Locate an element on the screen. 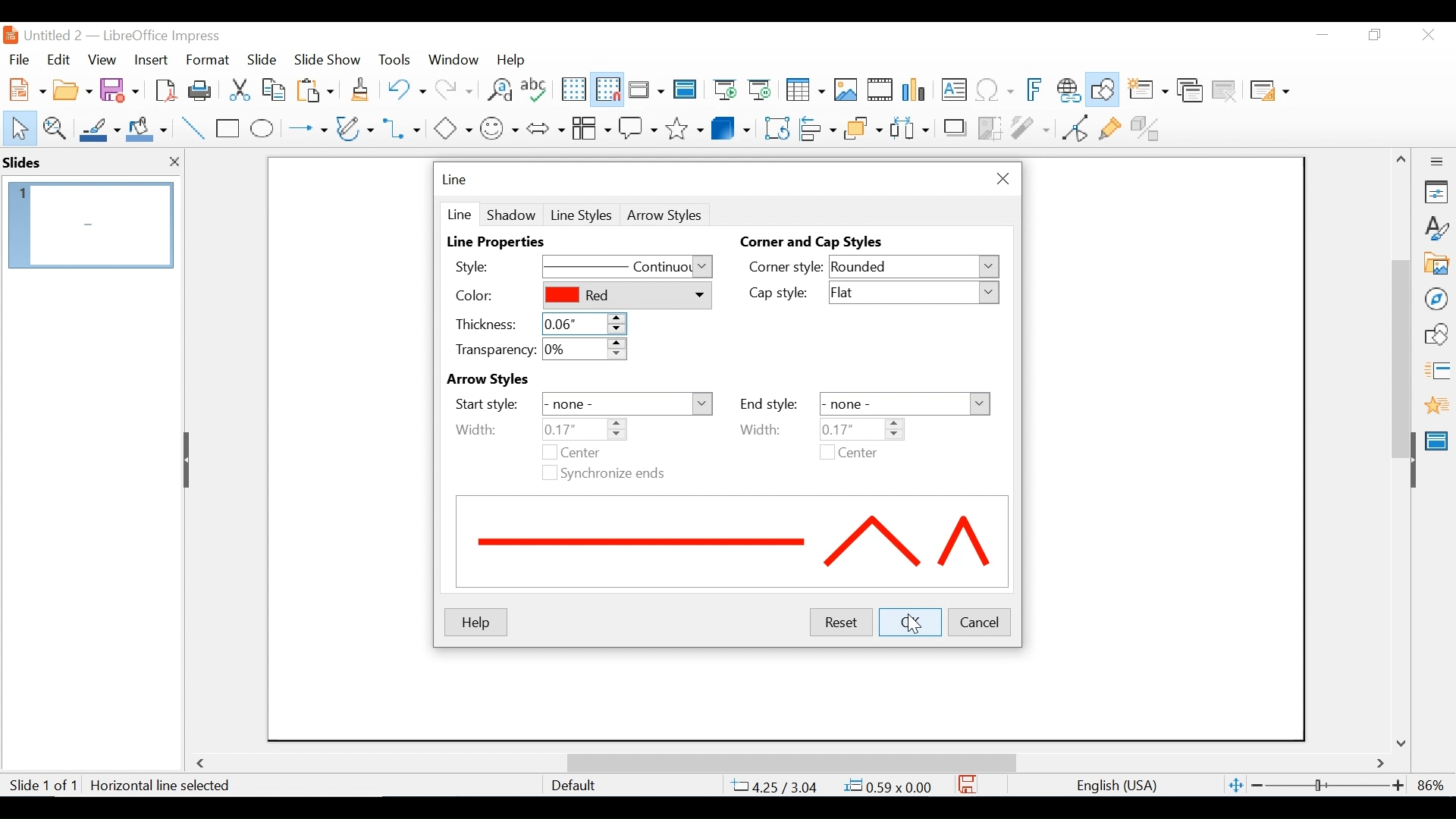  Display Views is located at coordinates (645, 91).